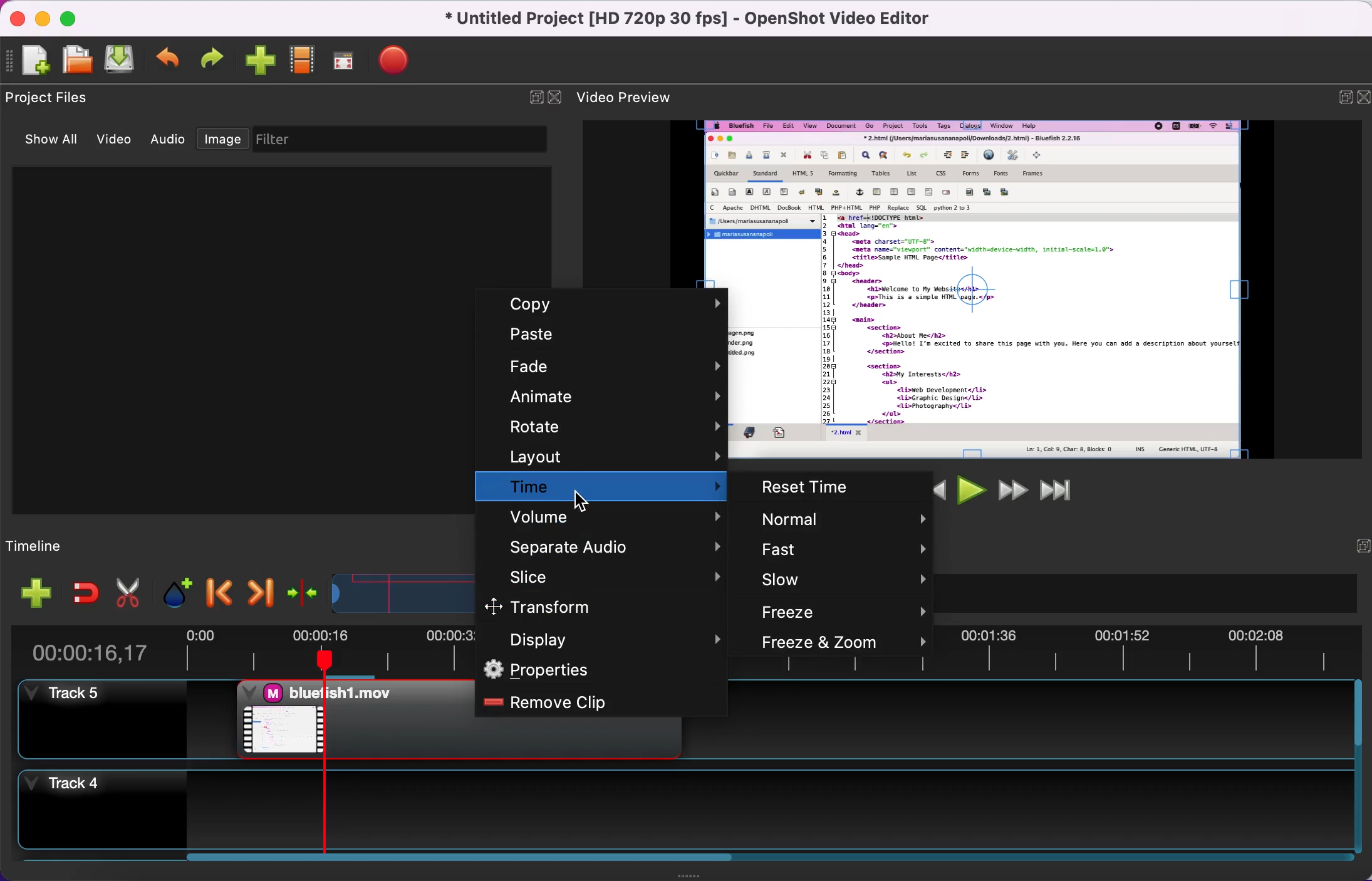  Describe the element at coordinates (261, 62) in the screenshot. I see `import files` at that location.